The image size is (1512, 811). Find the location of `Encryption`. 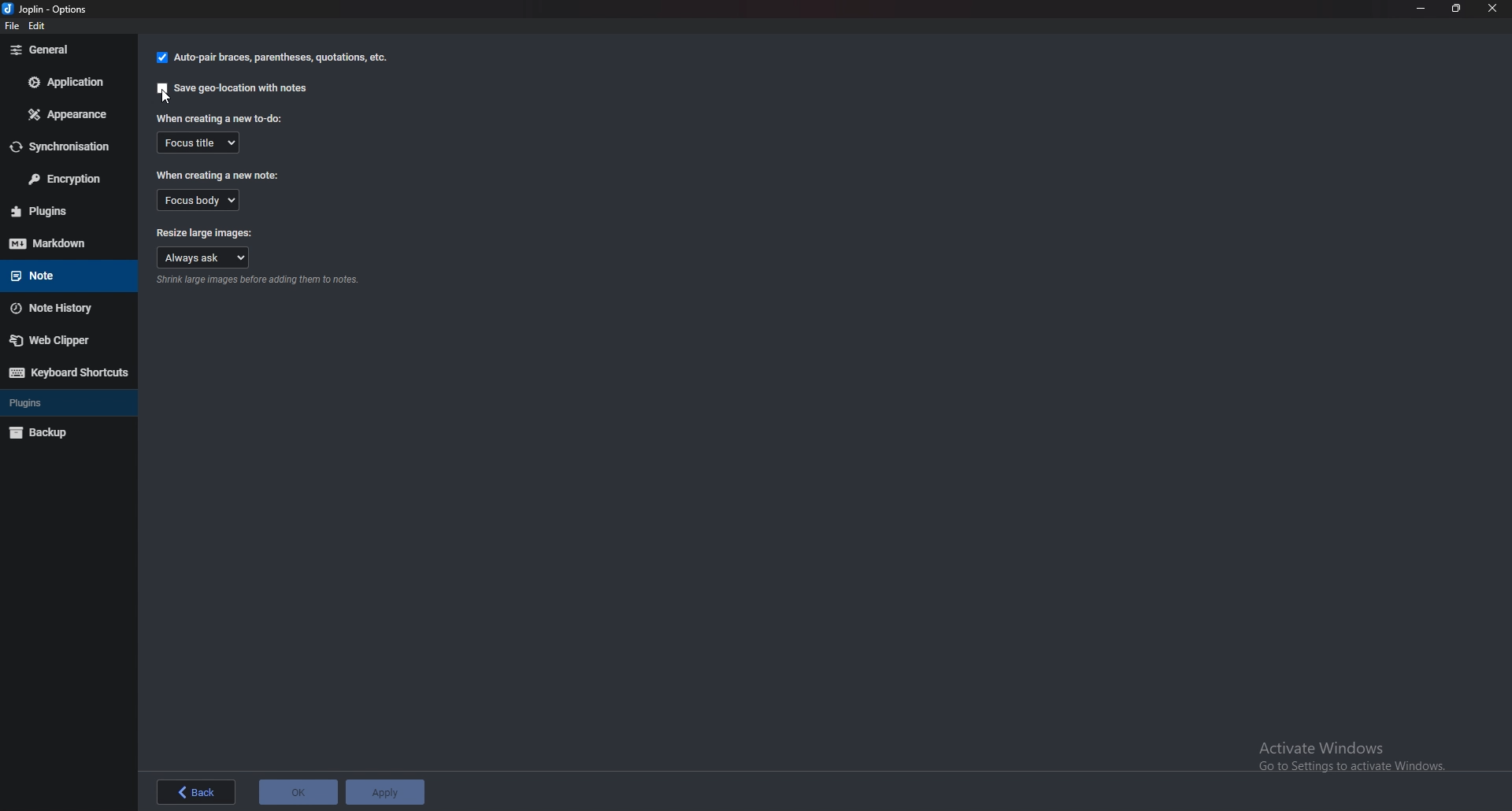

Encryption is located at coordinates (67, 178).